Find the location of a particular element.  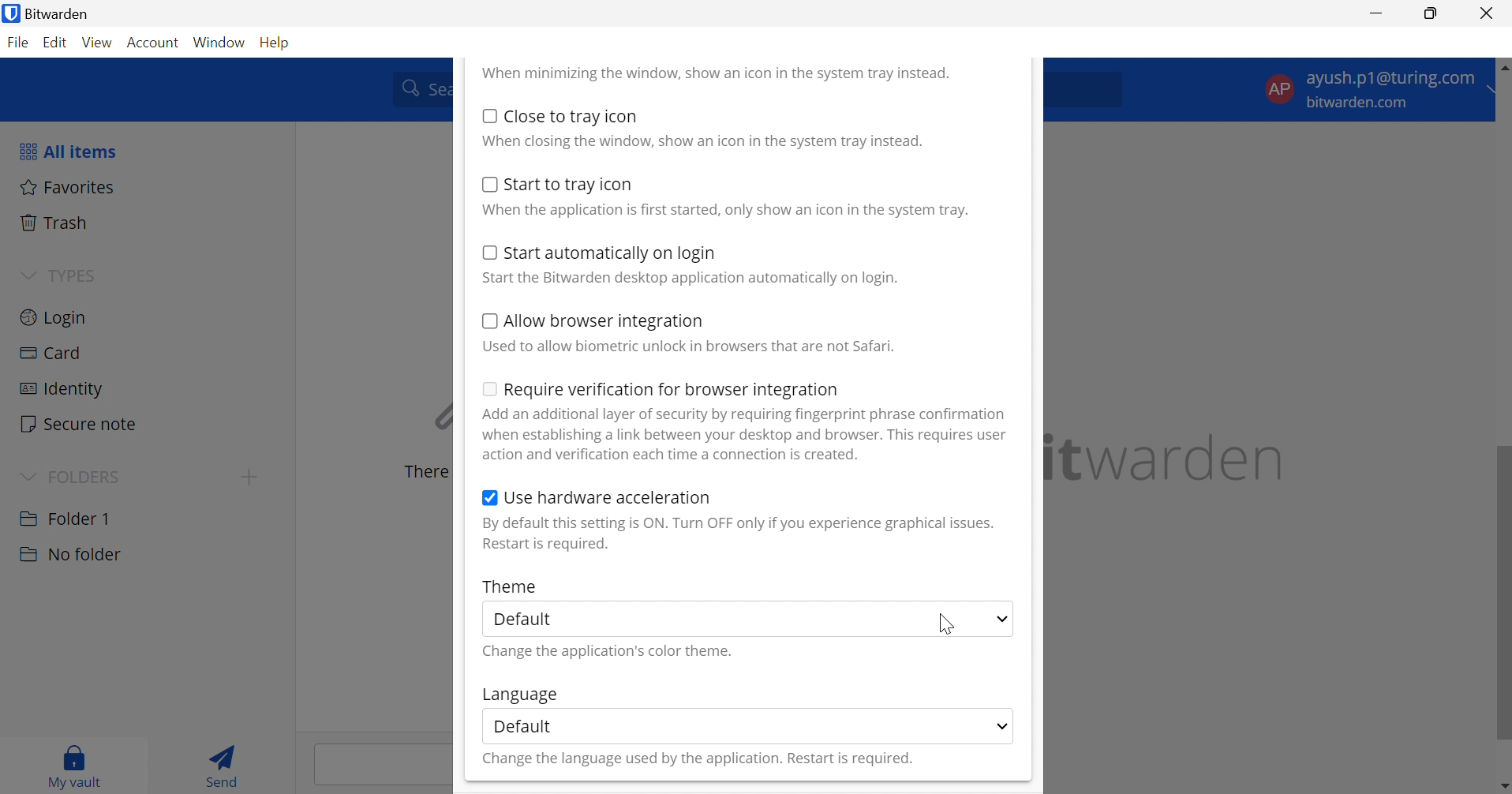

Default is located at coordinates (523, 725).